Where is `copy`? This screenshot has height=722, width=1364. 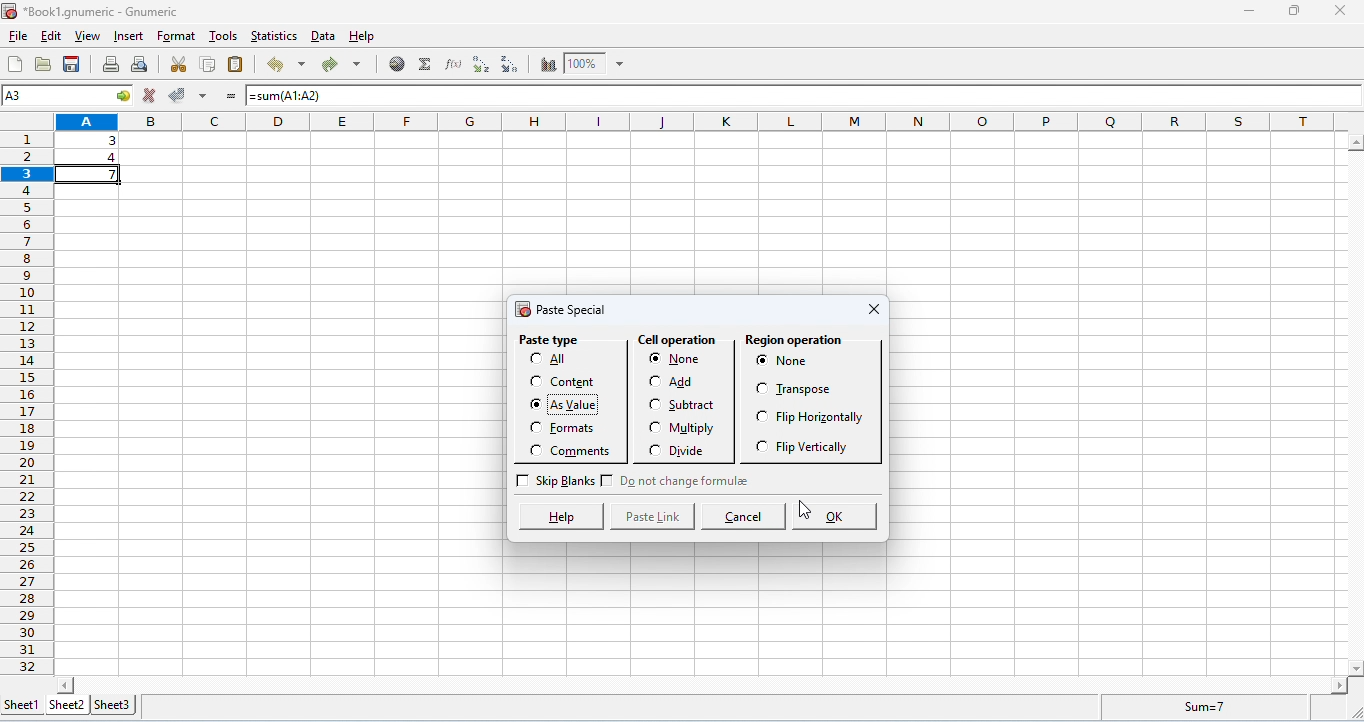 copy is located at coordinates (209, 65).